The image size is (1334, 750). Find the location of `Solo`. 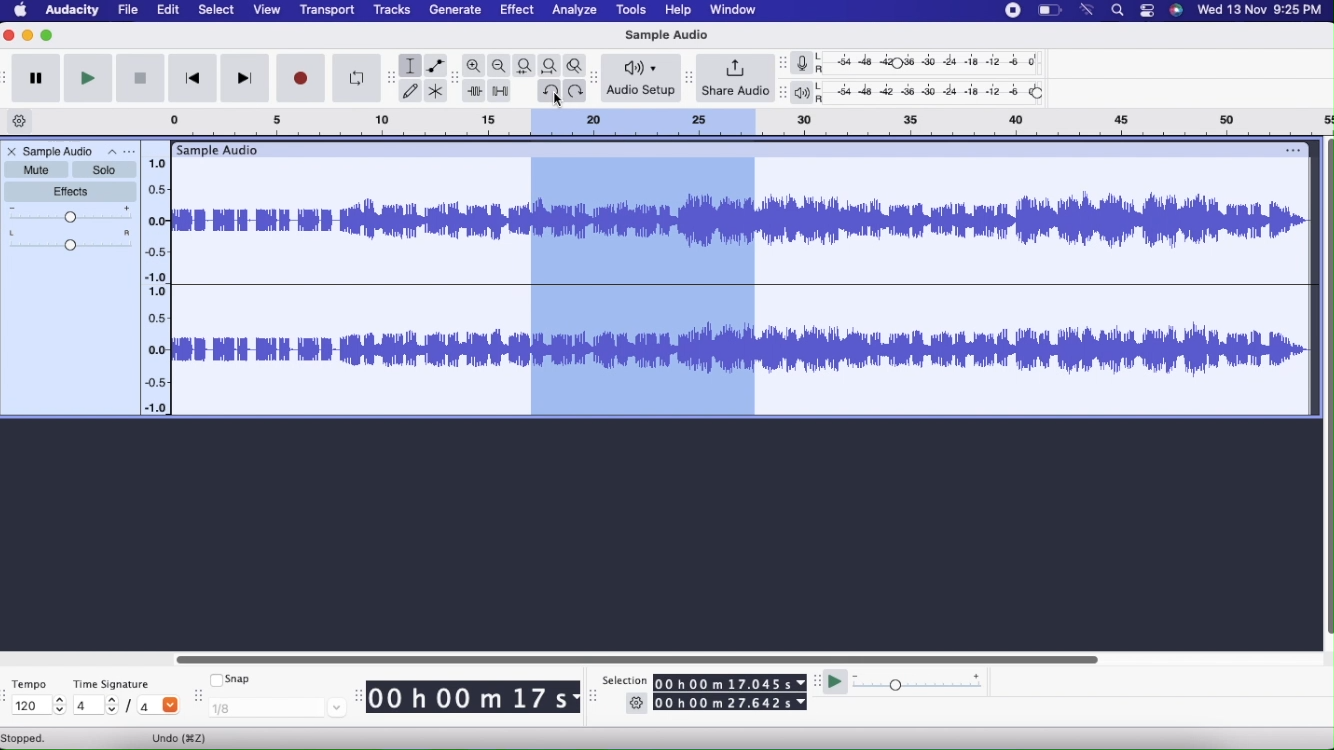

Solo is located at coordinates (106, 170).